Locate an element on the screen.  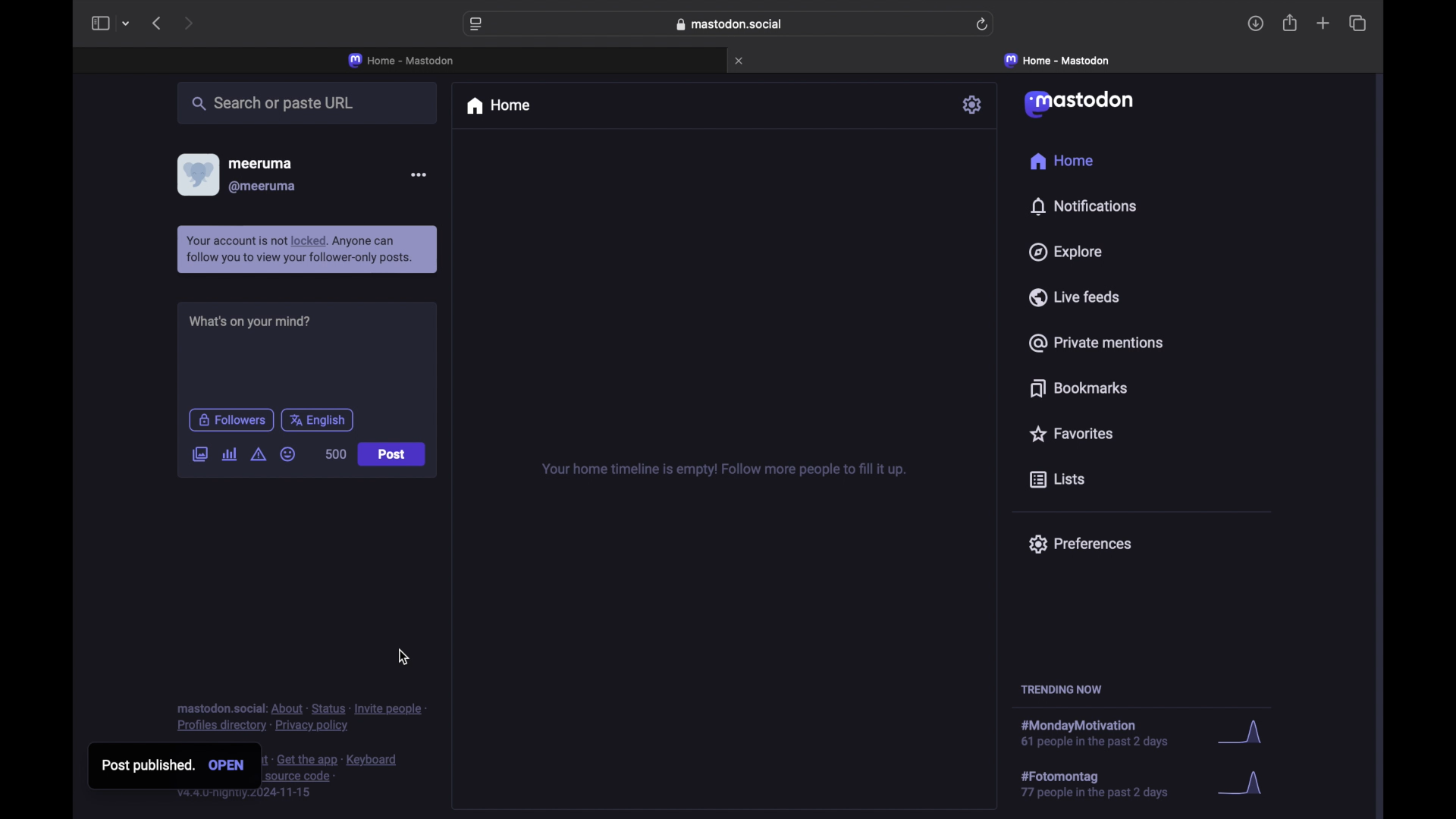
post published is located at coordinates (142, 767).